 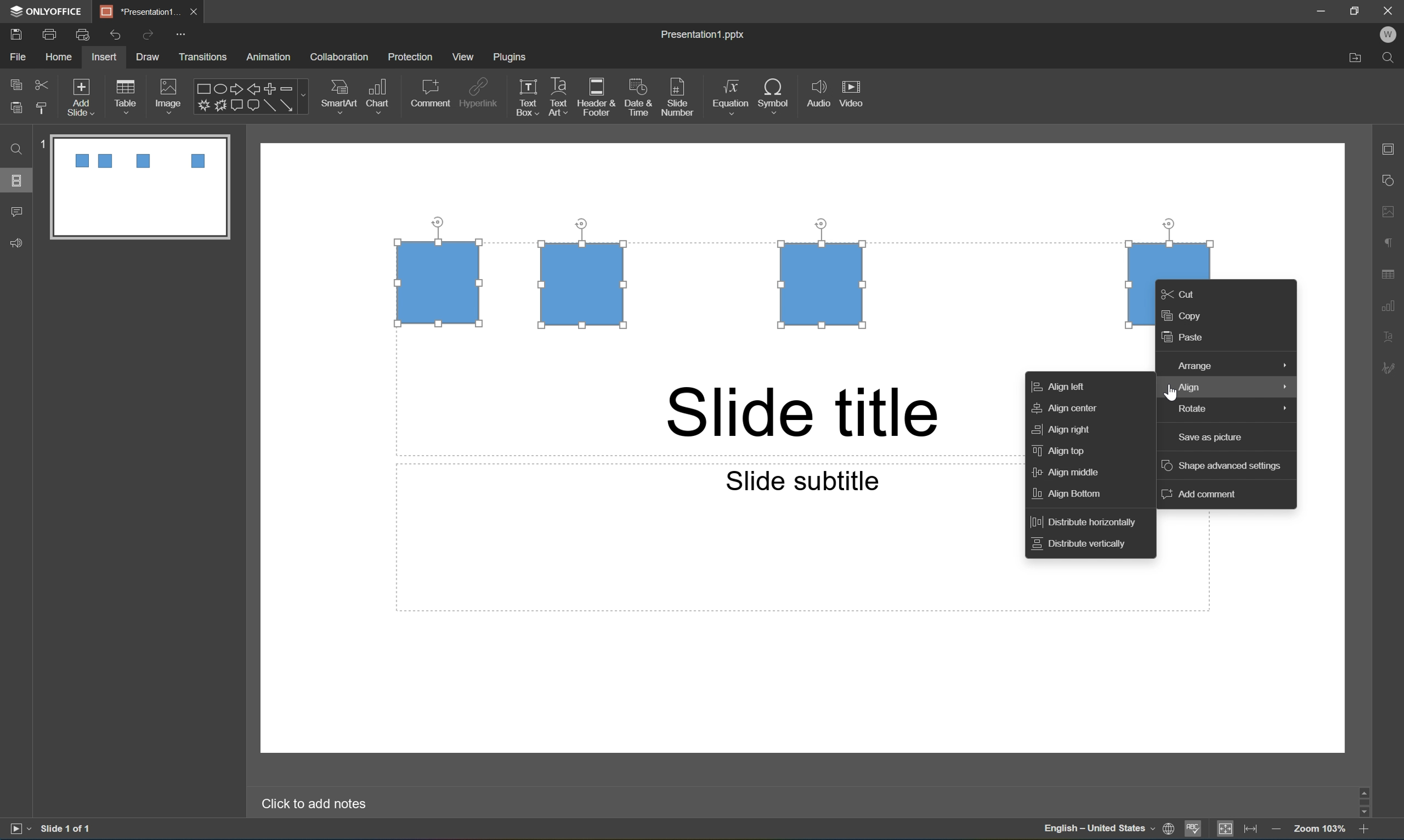 I want to click on minimize, so click(x=1320, y=9).